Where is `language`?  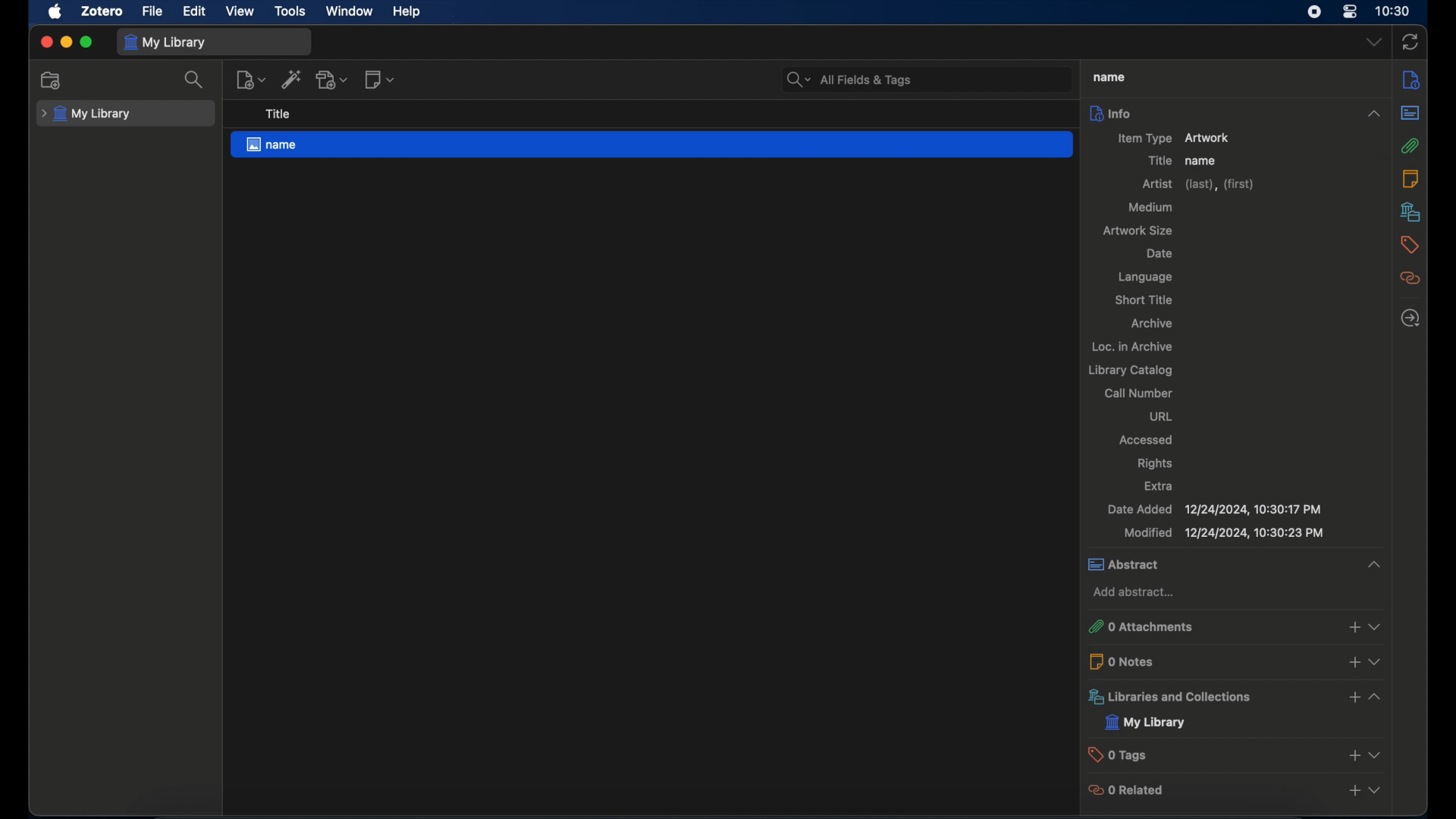
language is located at coordinates (1145, 278).